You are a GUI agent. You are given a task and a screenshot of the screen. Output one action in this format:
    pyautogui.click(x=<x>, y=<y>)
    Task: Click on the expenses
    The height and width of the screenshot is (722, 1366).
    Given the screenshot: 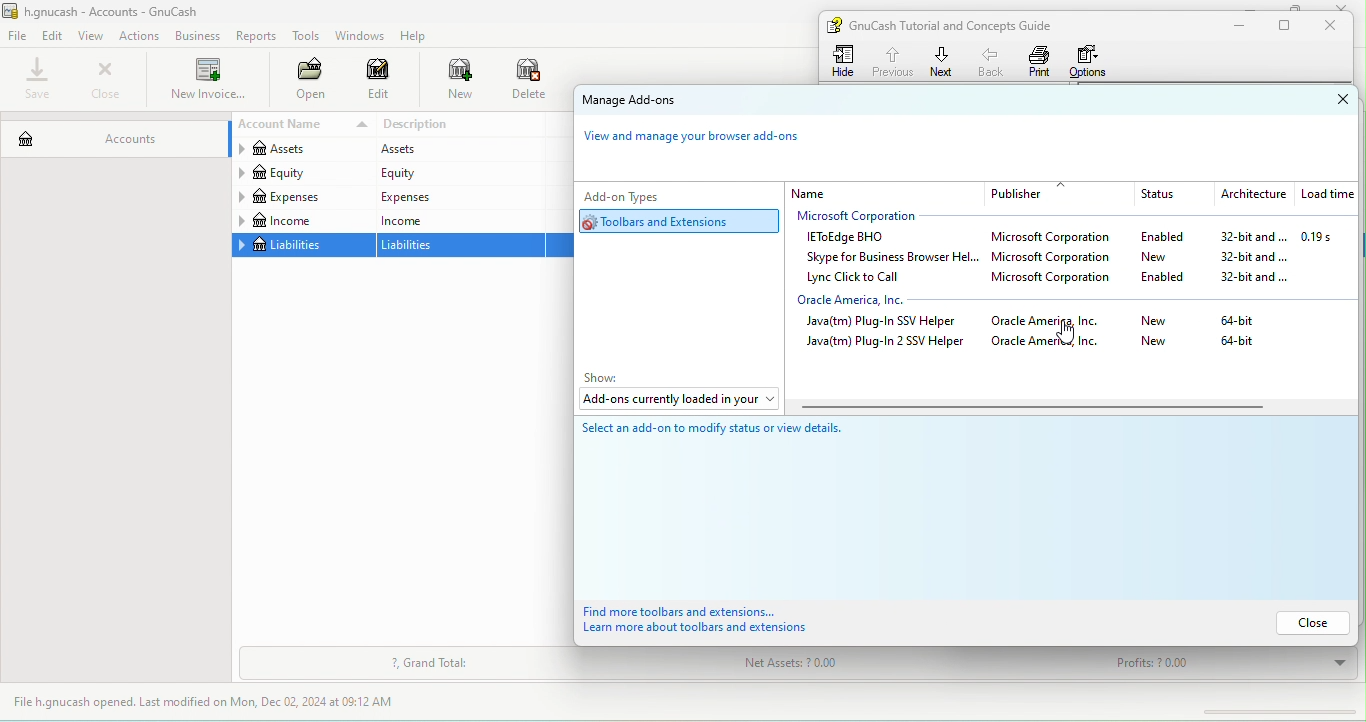 What is the action you would take?
    pyautogui.click(x=302, y=197)
    